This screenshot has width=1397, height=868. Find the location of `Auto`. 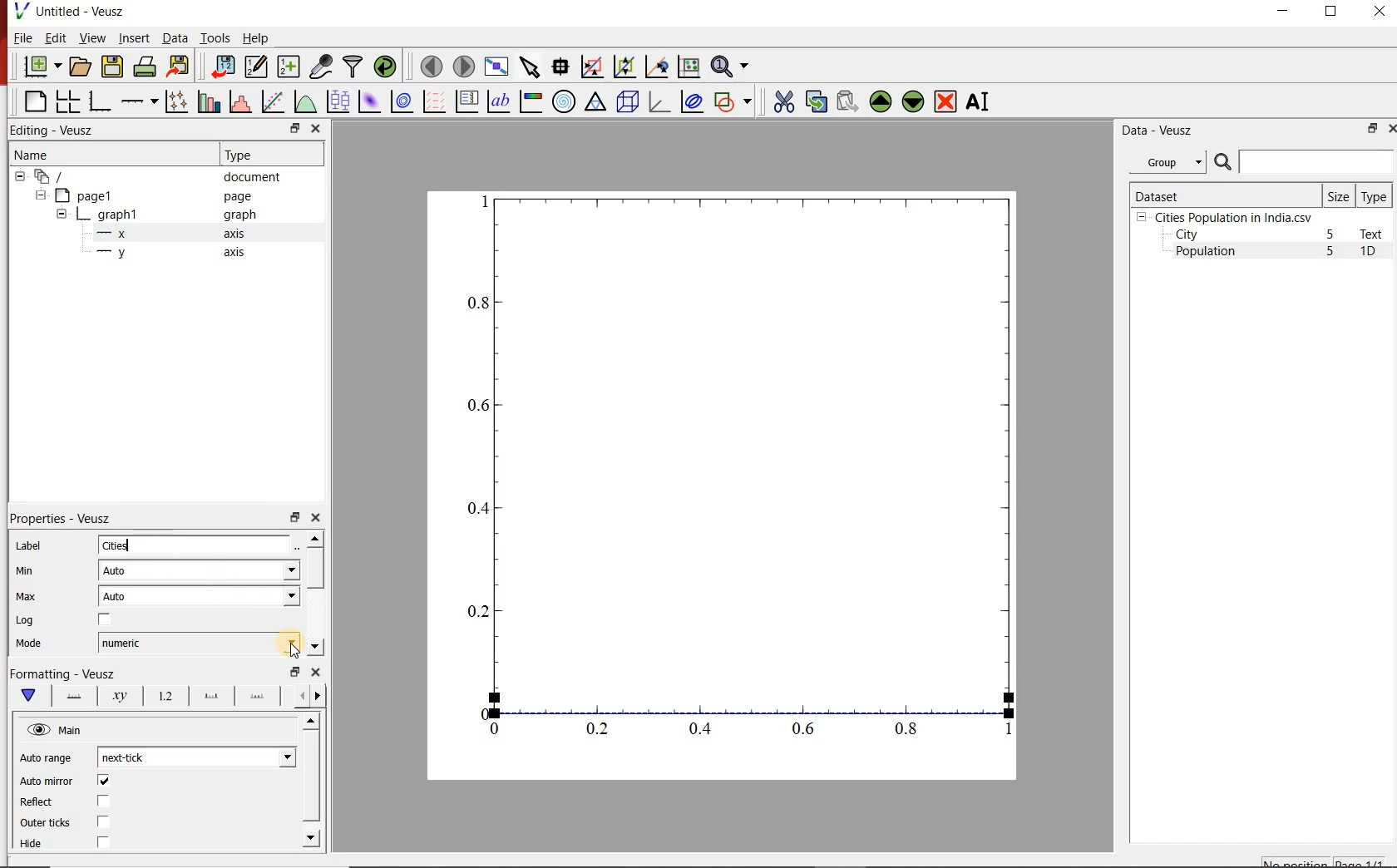

Auto is located at coordinates (200, 570).